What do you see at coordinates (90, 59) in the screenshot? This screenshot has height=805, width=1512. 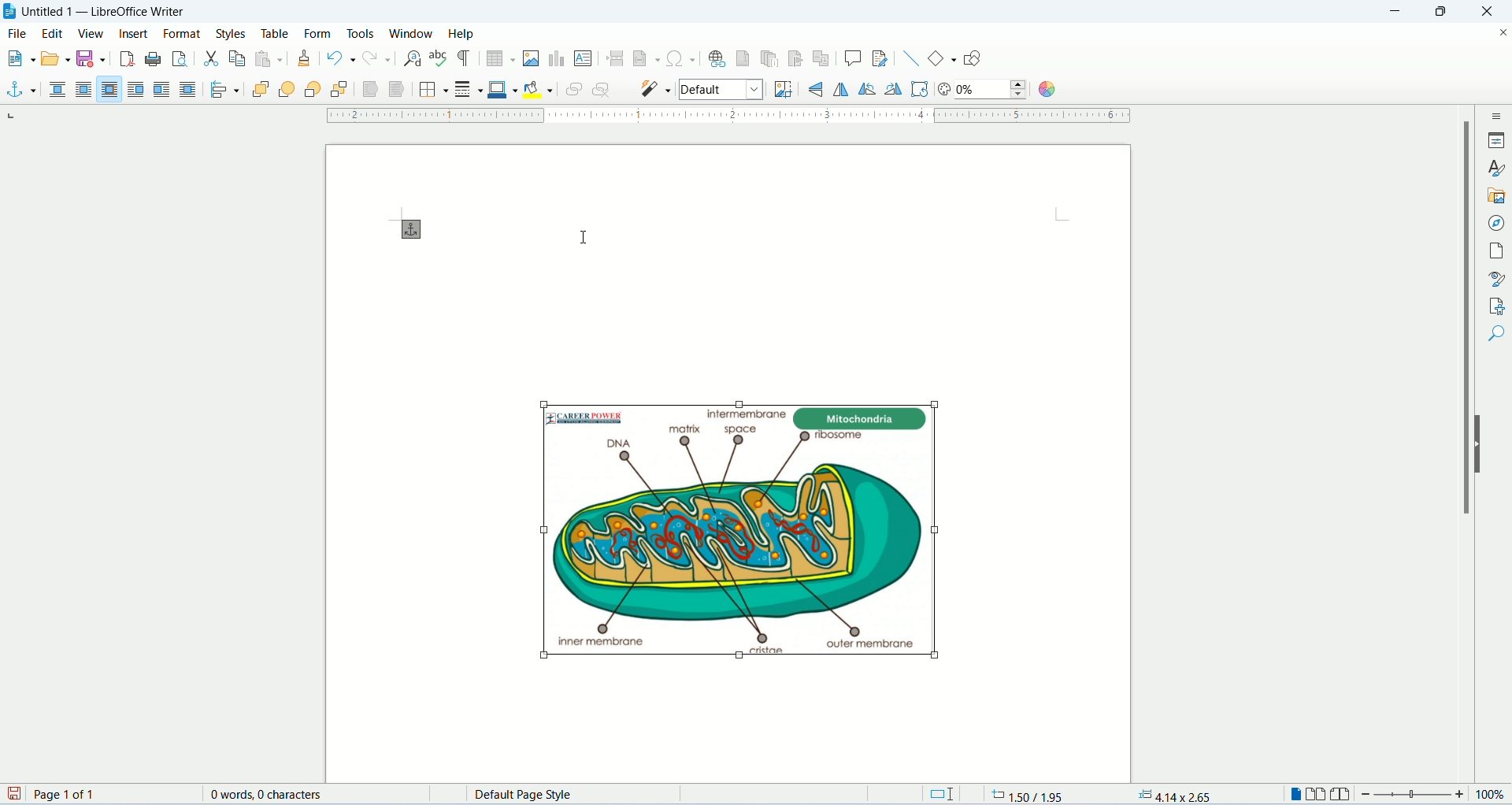 I see `save` at bounding box center [90, 59].